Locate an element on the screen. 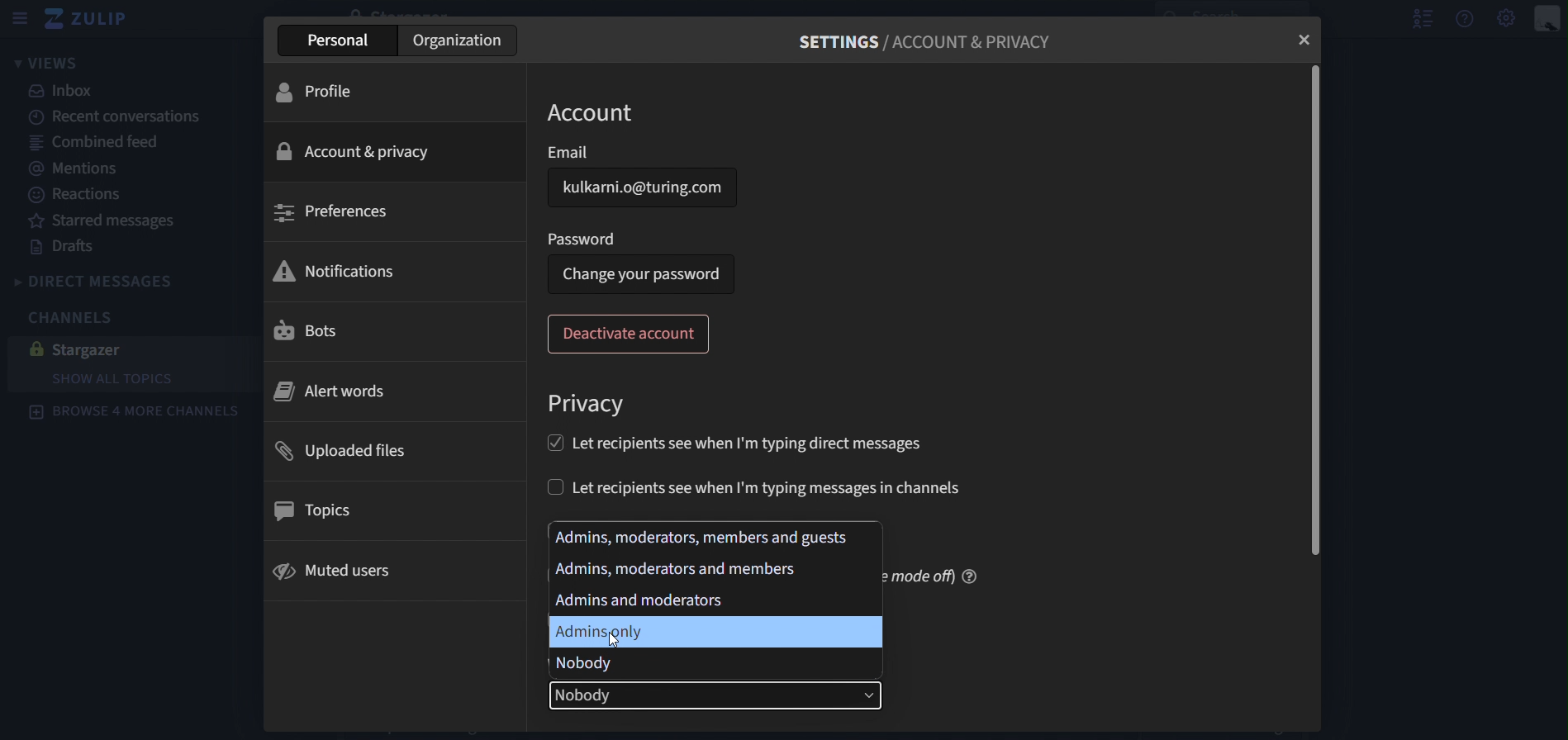  channels is located at coordinates (66, 316).